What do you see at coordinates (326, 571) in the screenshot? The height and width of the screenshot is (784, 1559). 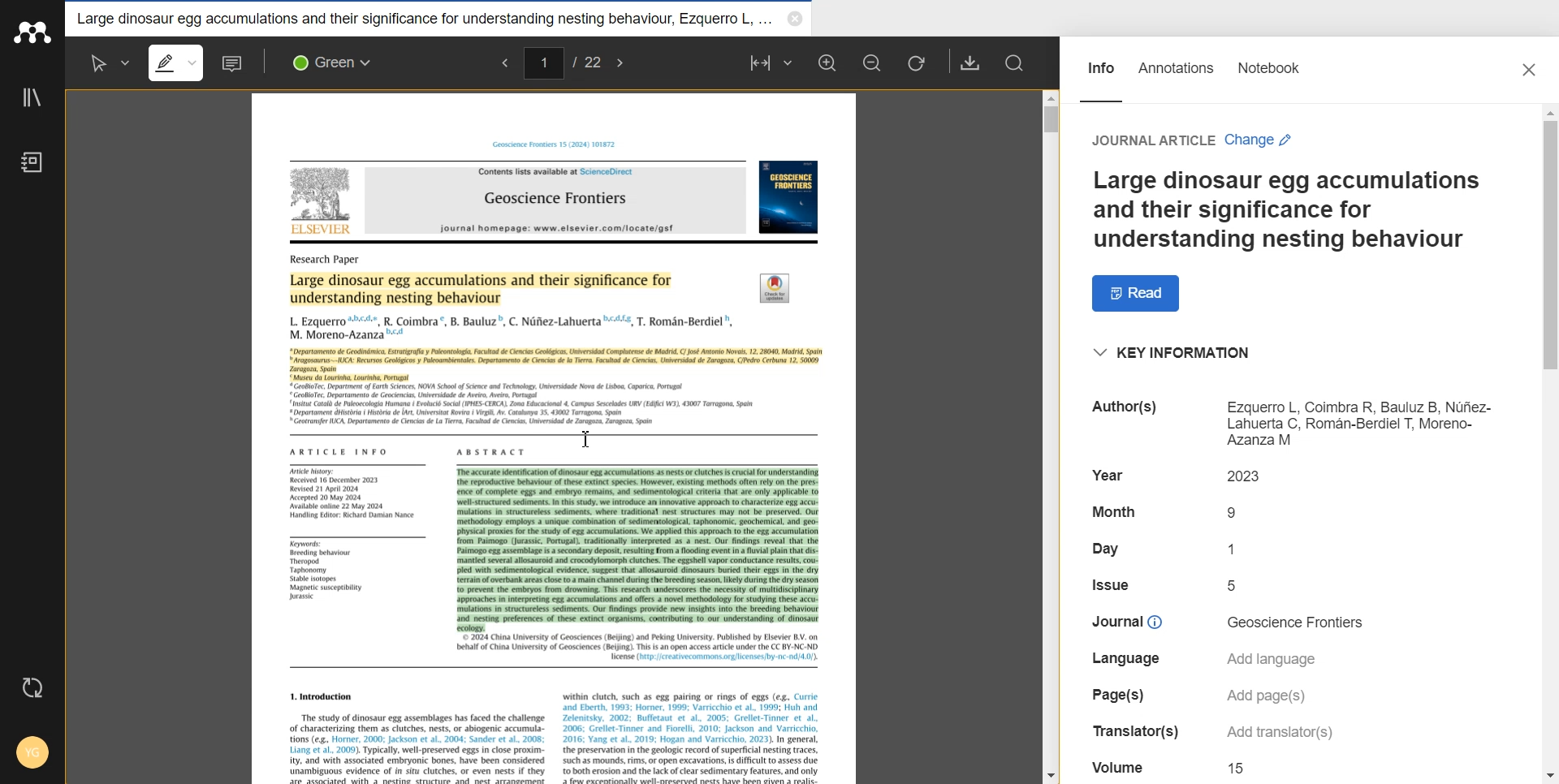 I see `text` at bounding box center [326, 571].